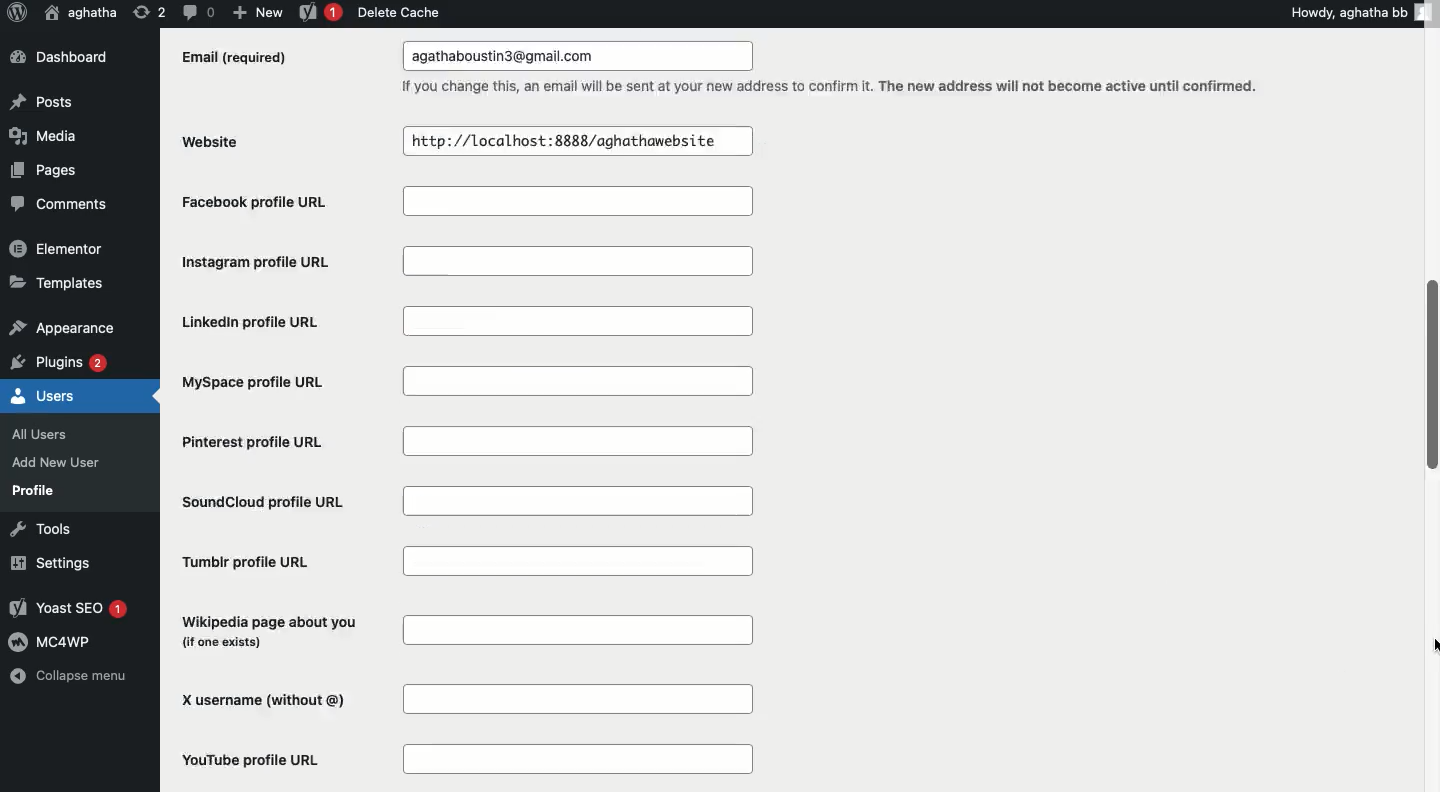 The height and width of the screenshot is (792, 1440). Describe the element at coordinates (467, 263) in the screenshot. I see `Instagram profile URL` at that location.